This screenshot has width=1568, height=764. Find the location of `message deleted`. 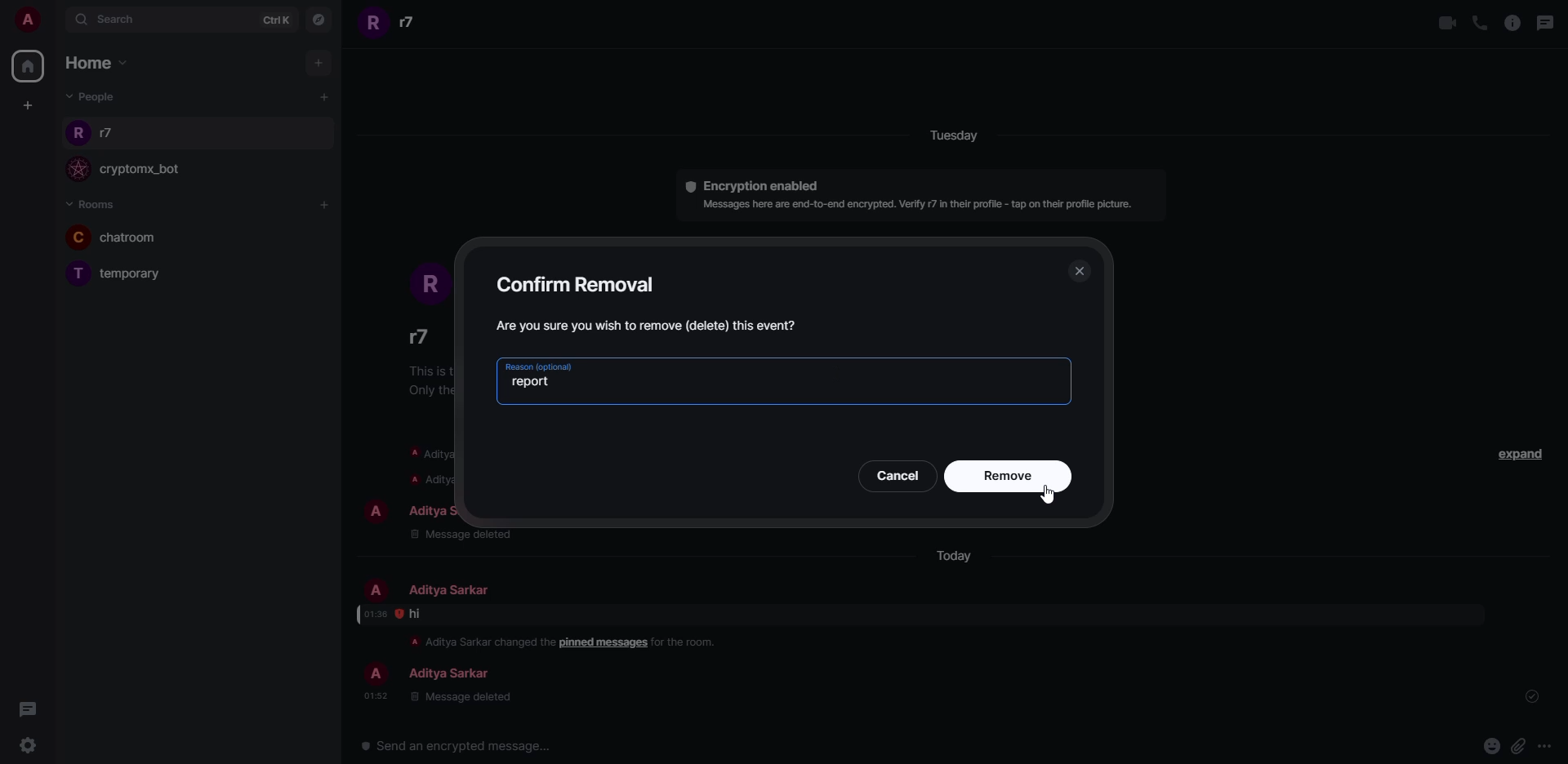

message deleted is located at coordinates (460, 698).